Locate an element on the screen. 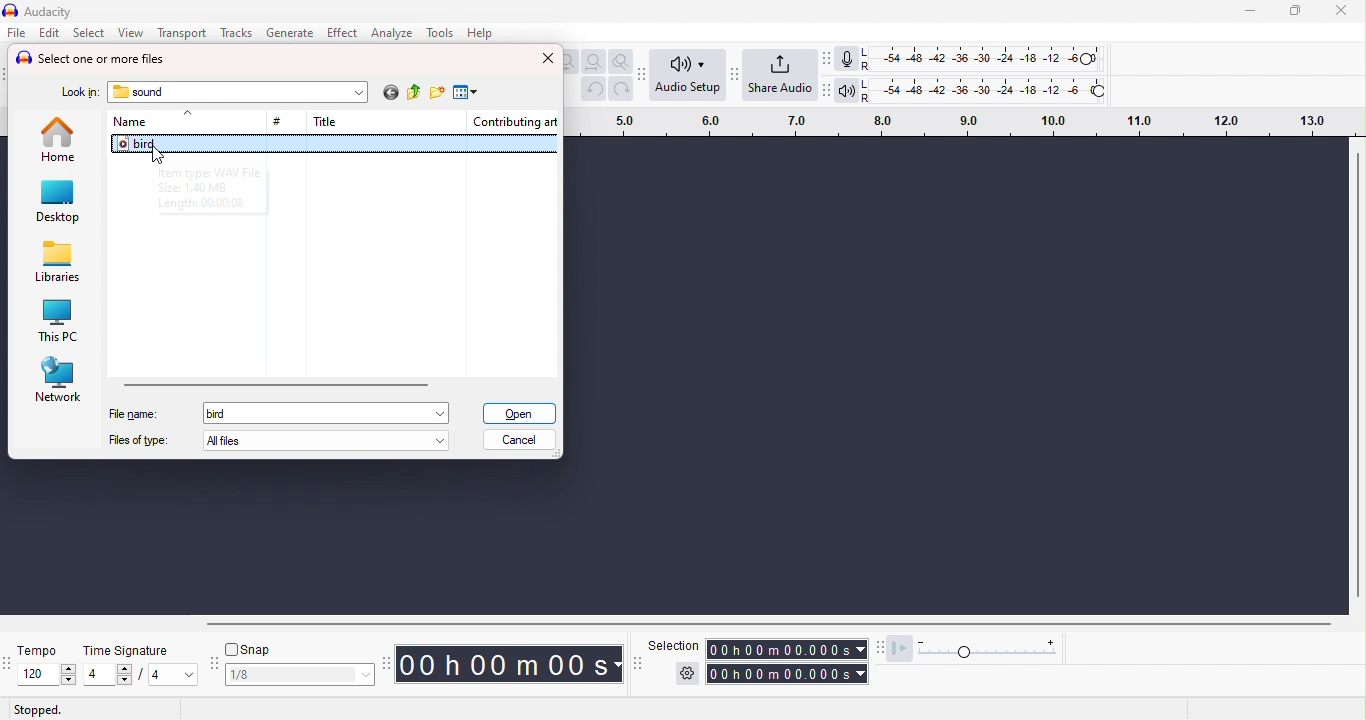 This screenshot has height=720, width=1366. play at speed tool bar is located at coordinates (883, 649).